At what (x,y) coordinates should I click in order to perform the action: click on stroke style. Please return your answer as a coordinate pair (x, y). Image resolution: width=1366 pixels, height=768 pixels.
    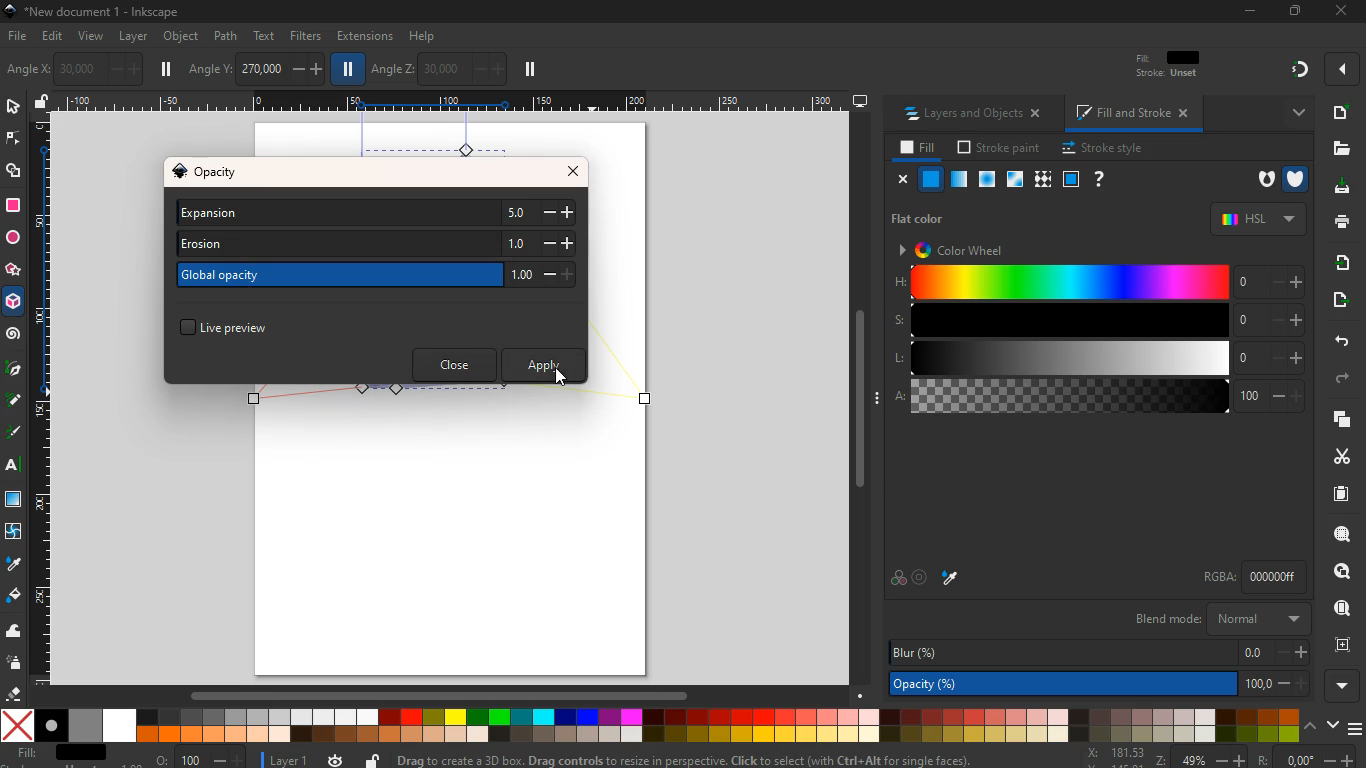
    Looking at the image, I should click on (1100, 149).